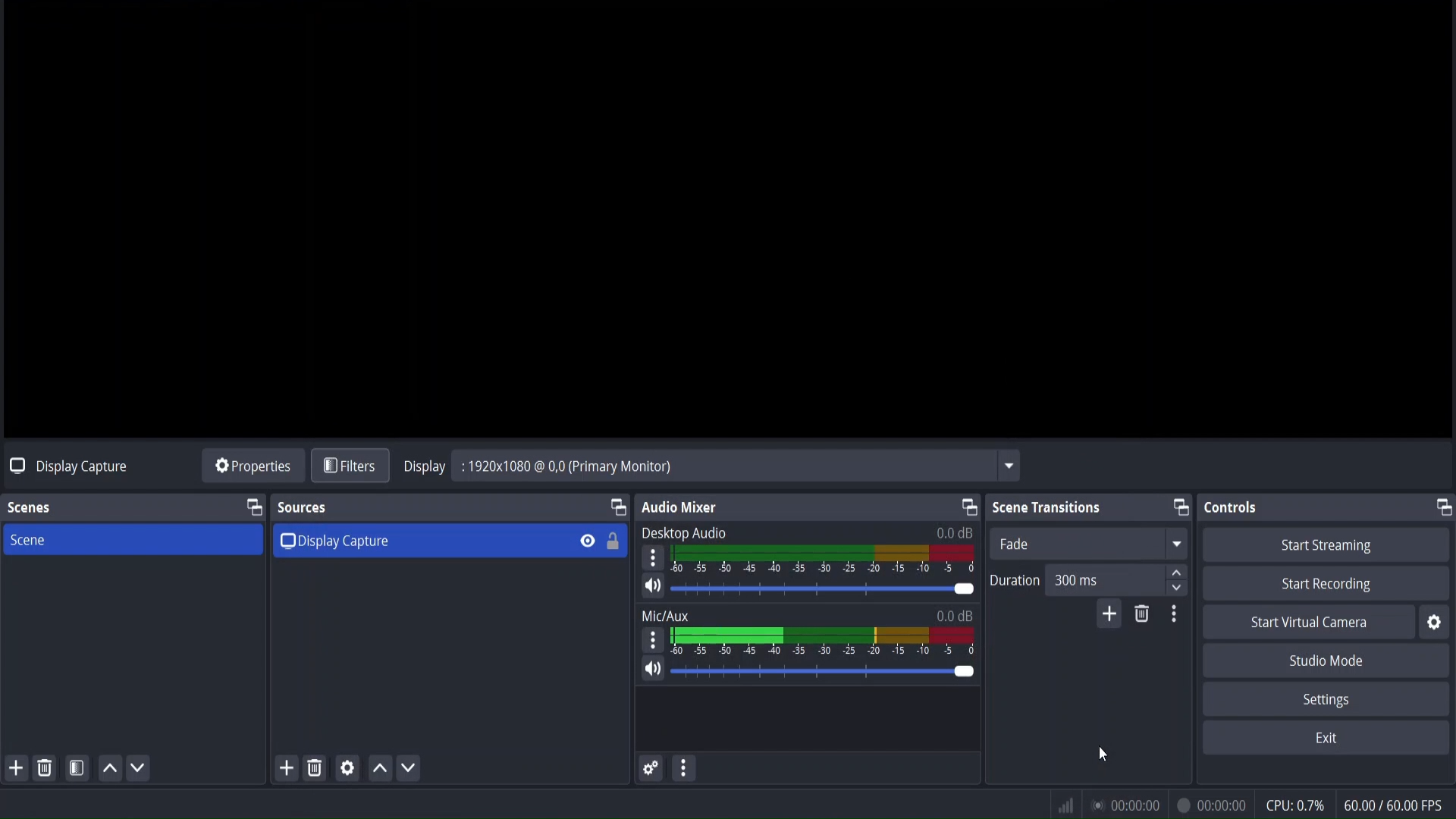  I want to click on volume bar, so click(825, 671).